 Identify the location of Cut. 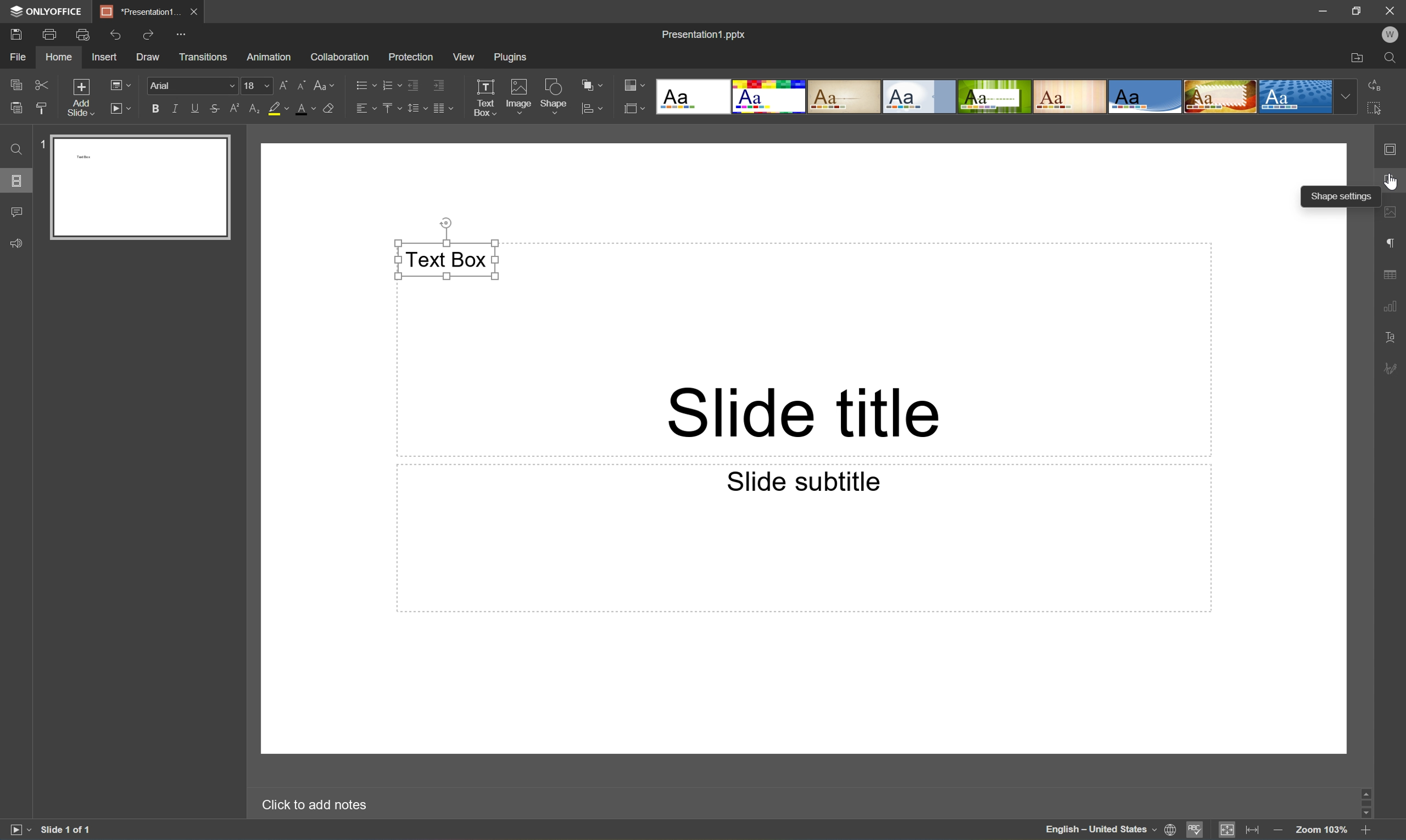
(43, 84).